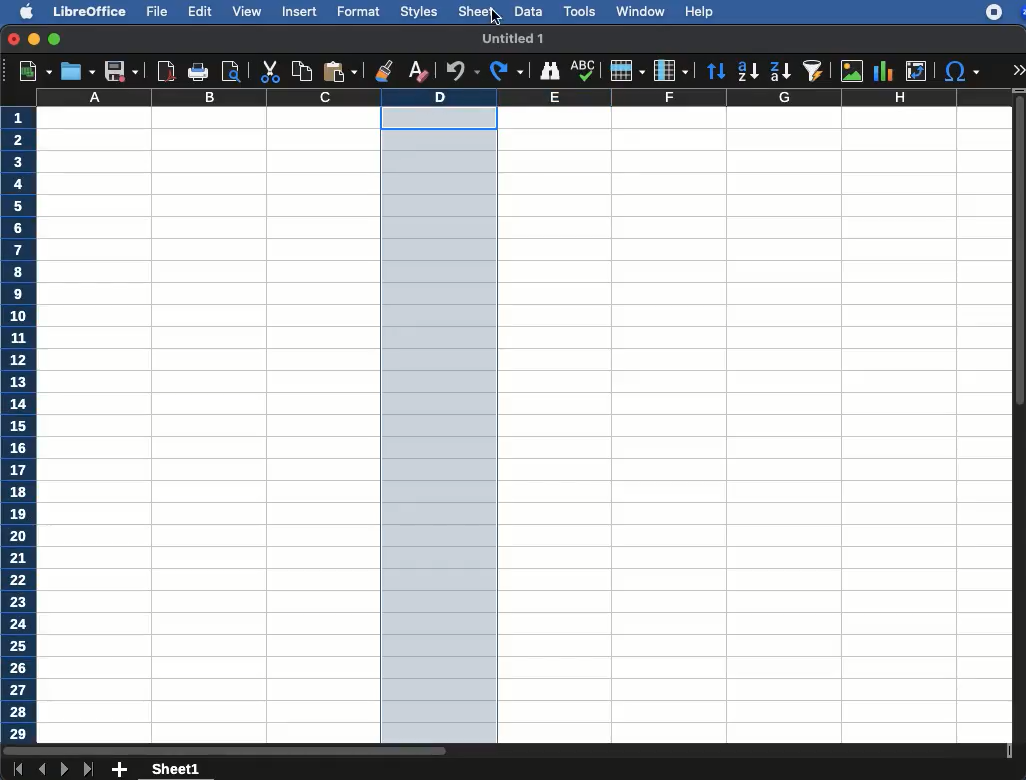 The image size is (1026, 780). What do you see at coordinates (269, 71) in the screenshot?
I see `cut` at bounding box center [269, 71].